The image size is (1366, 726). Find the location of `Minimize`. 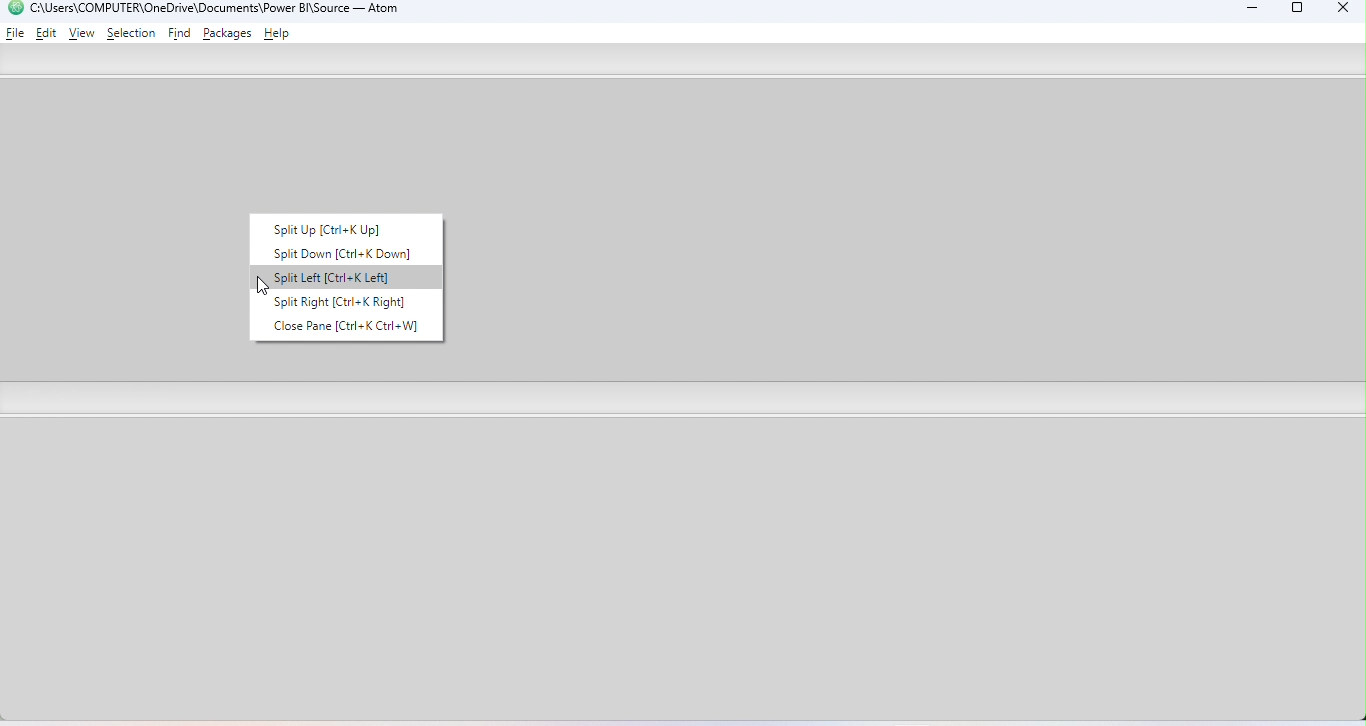

Minimize is located at coordinates (1247, 11).